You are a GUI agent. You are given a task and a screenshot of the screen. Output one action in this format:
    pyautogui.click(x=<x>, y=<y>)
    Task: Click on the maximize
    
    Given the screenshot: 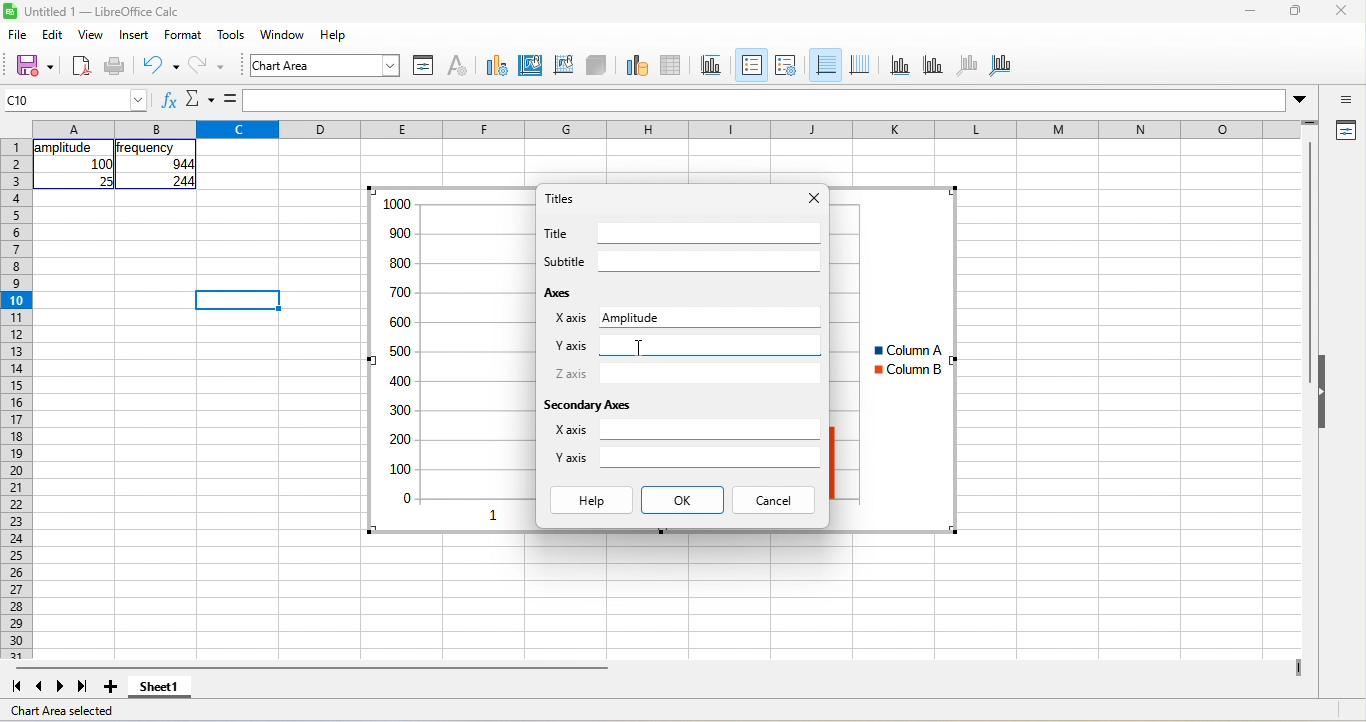 What is the action you would take?
    pyautogui.click(x=1296, y=10)
    